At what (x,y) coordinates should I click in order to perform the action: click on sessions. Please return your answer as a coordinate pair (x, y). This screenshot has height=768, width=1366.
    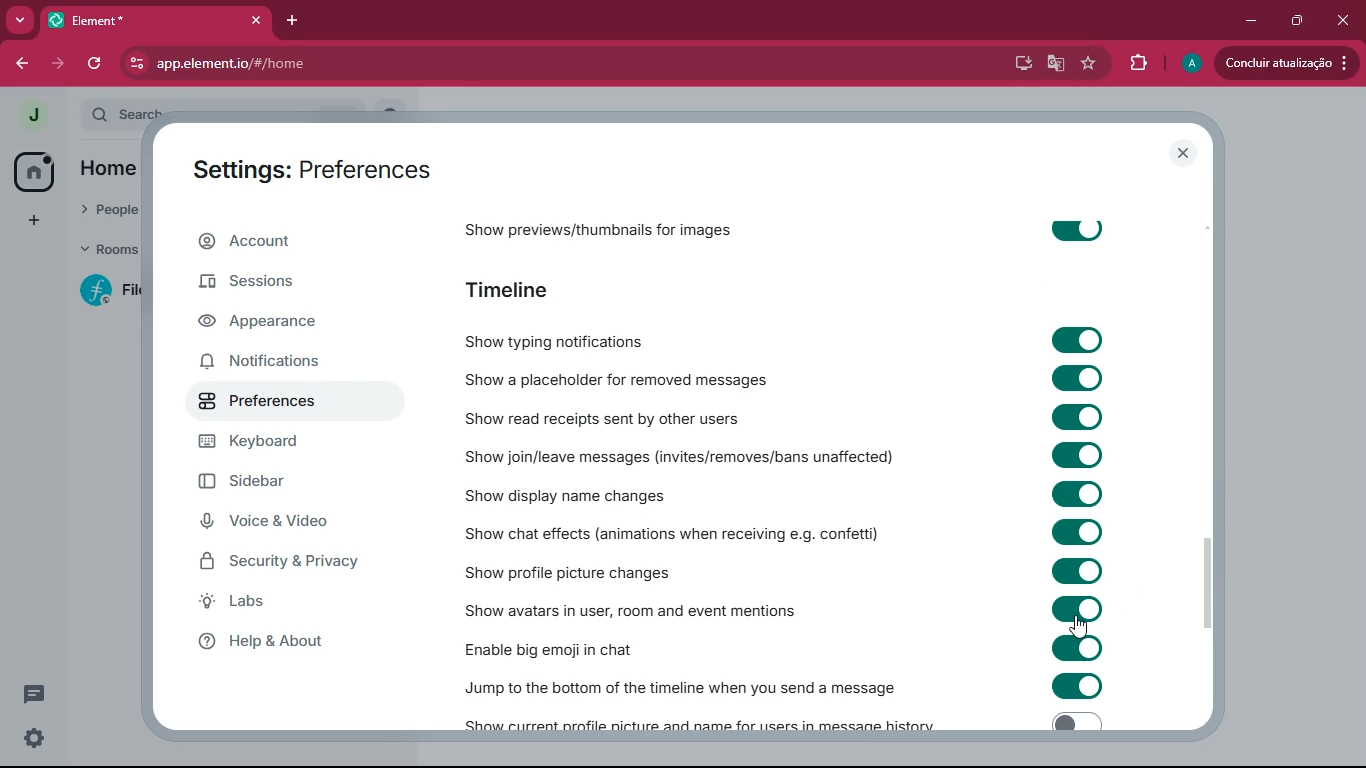
    Looking at the image, I should click on (300, 287).